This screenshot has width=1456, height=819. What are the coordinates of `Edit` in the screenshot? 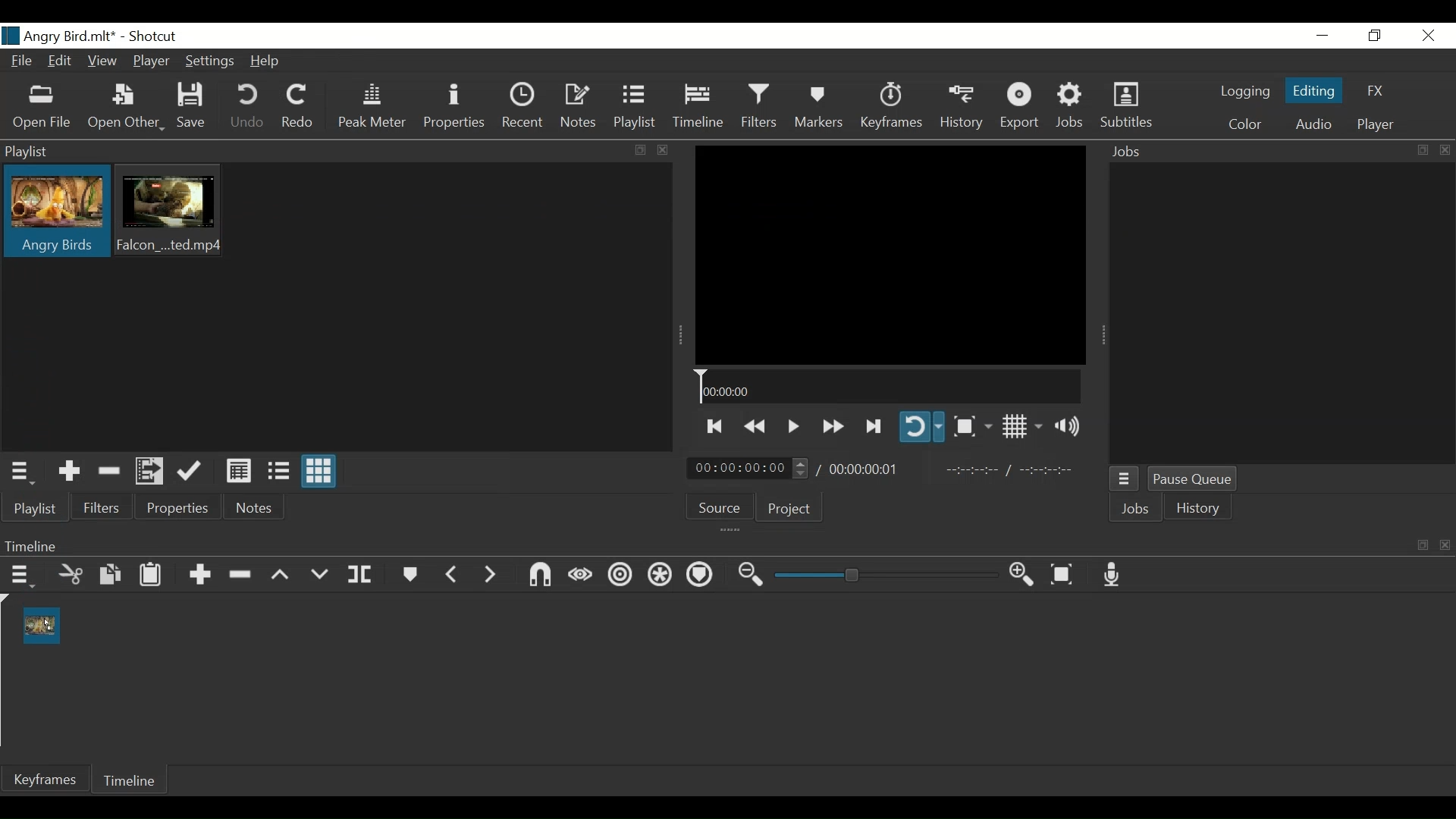 It's located at (61, 62).